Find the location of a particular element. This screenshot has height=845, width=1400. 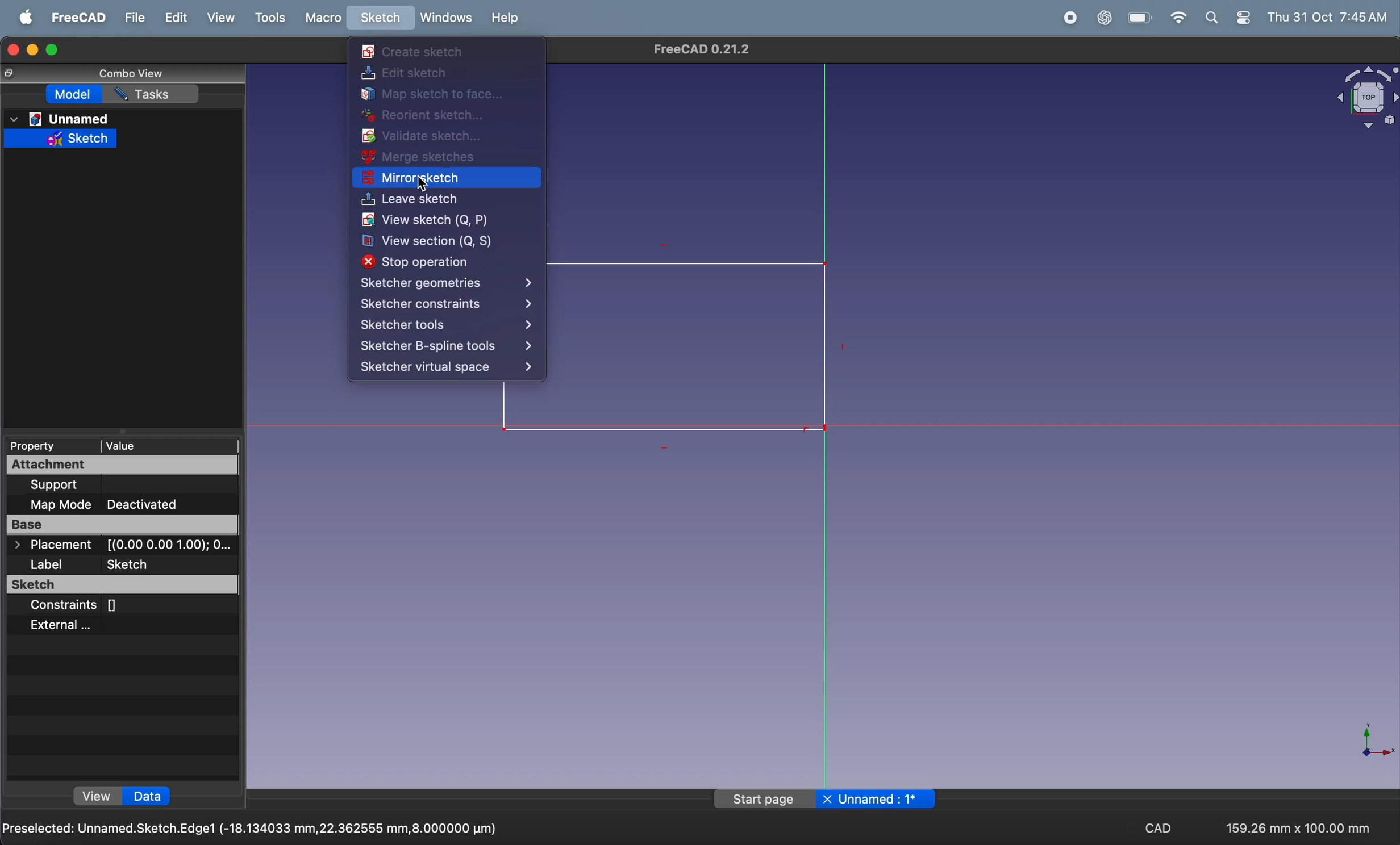

chatgpt is located at coordinates (1105, 19).